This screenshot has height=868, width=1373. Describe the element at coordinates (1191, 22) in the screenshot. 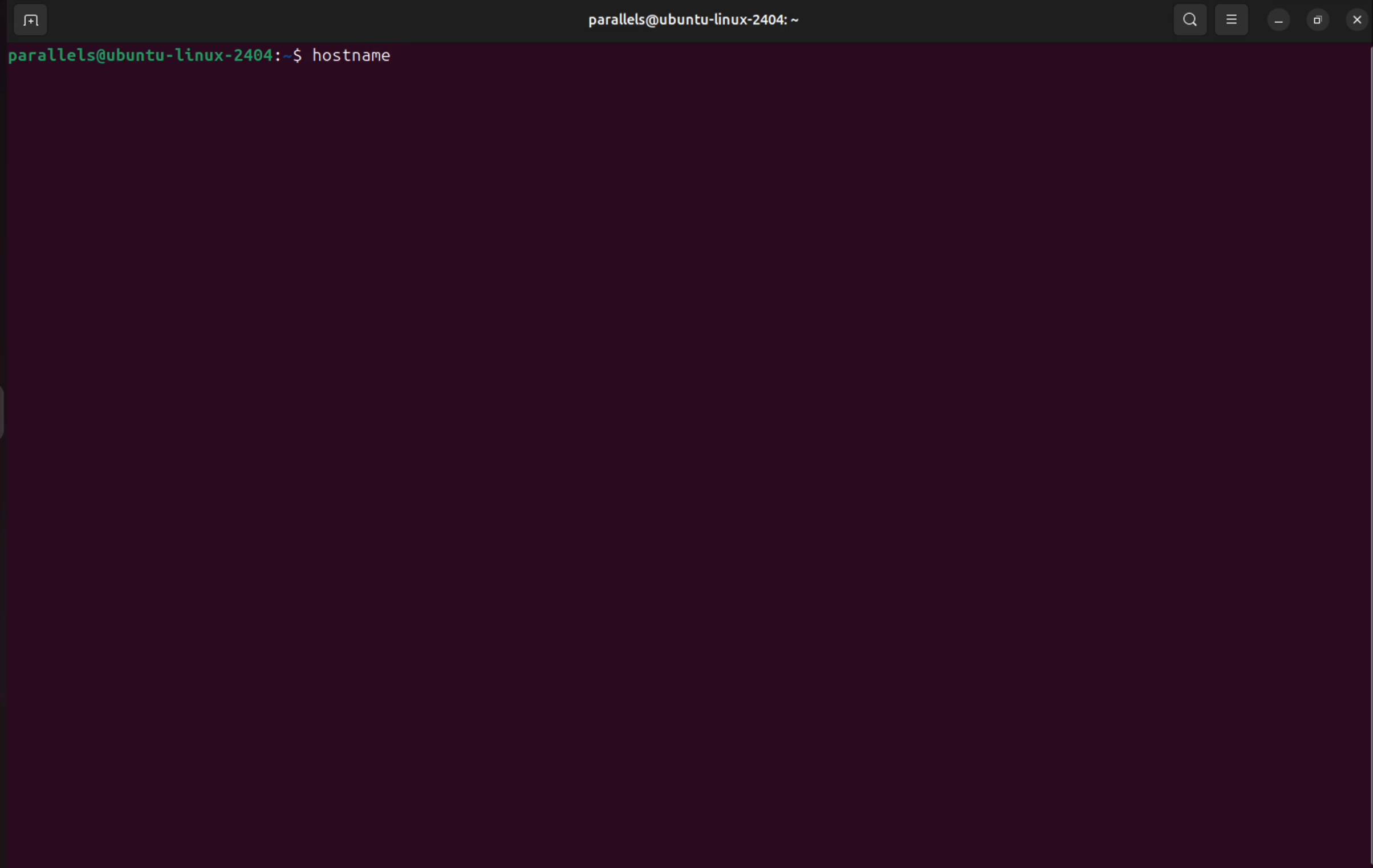

I see `search` at that location.